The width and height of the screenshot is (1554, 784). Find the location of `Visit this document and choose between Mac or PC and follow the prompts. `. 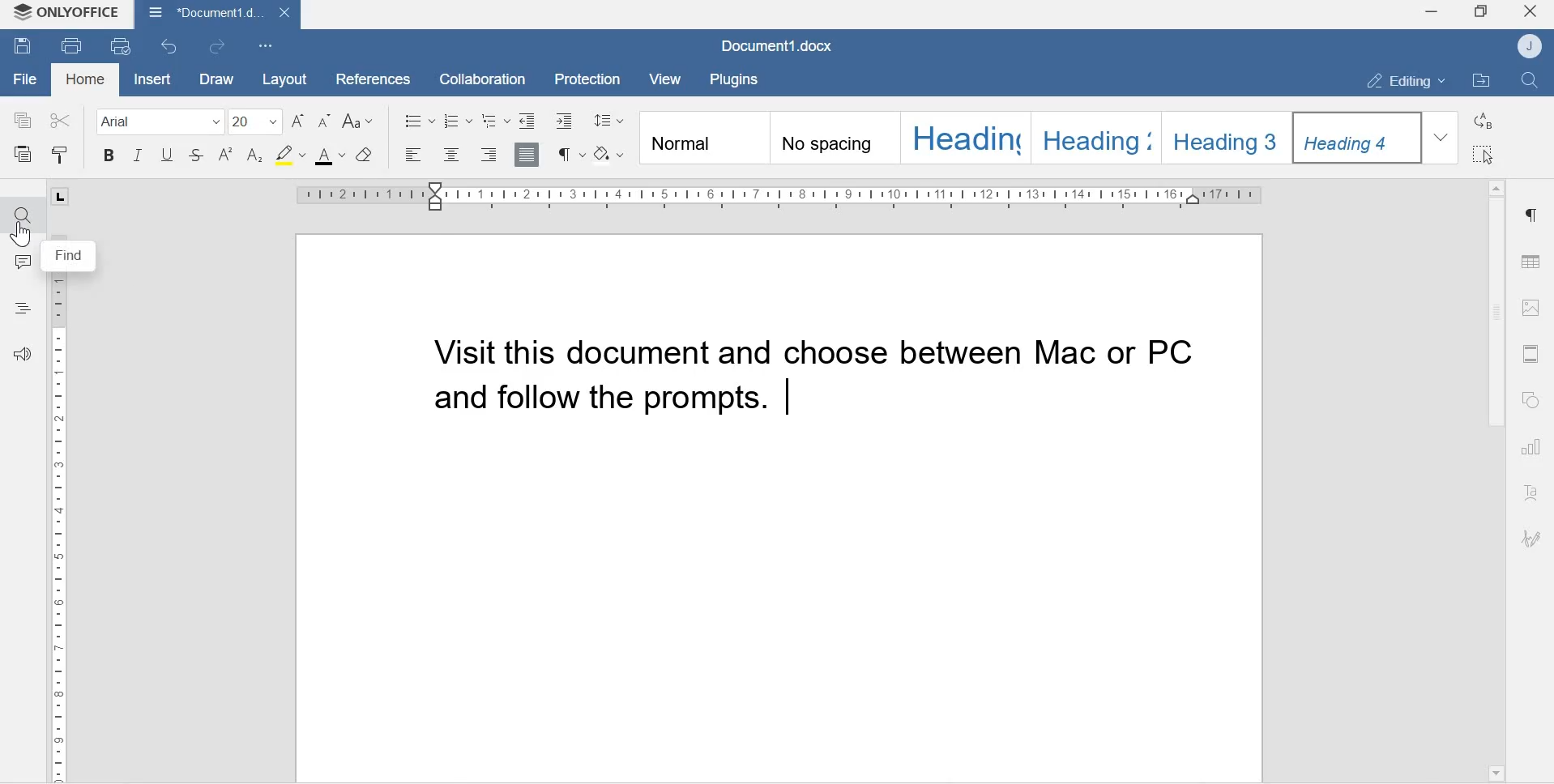

Visit this document and choose between Mac or PC and follow the prompts.  is located at coordinates (800, 378).